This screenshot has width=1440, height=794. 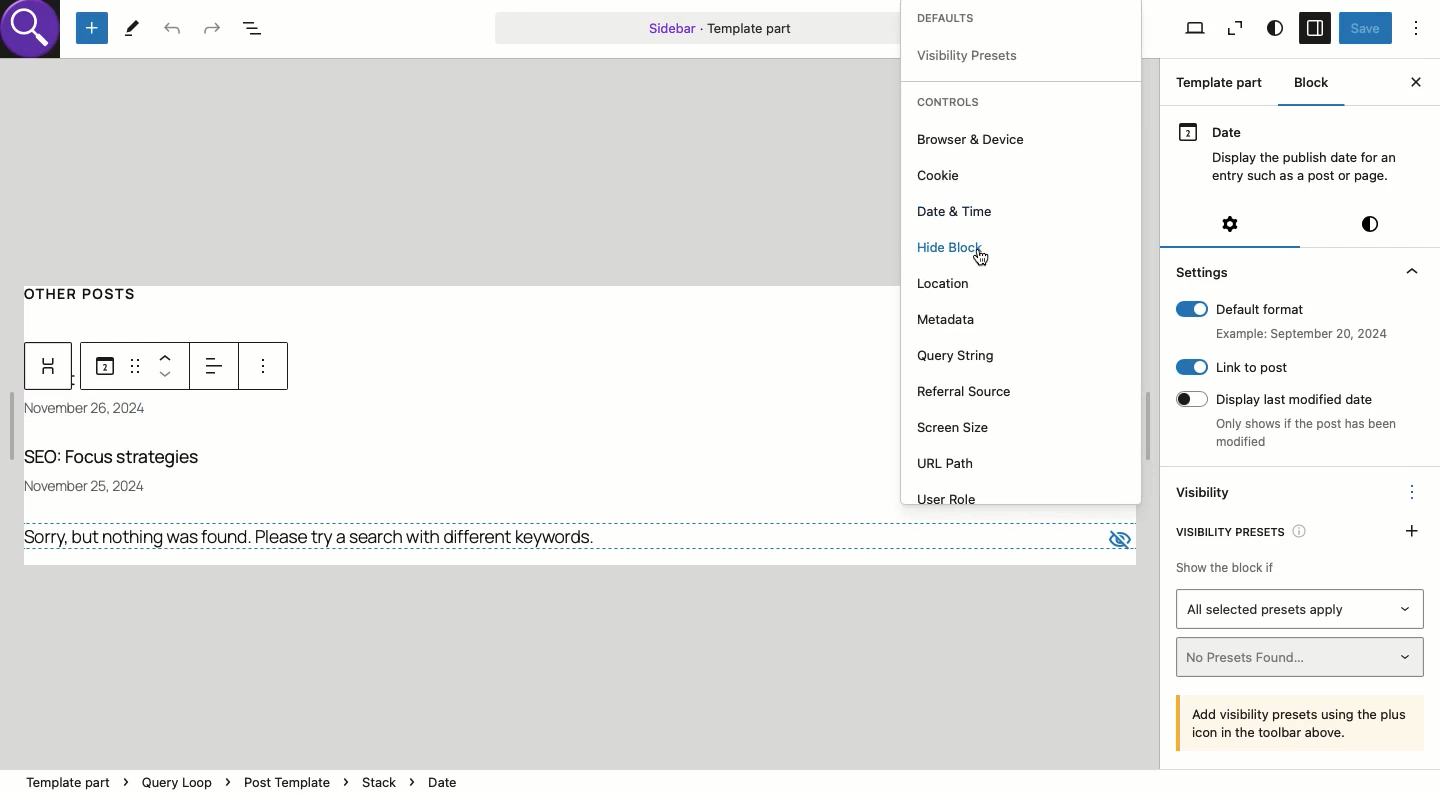 What do you see at coordinates (1365, 29) in the screenshot?
I see `Save` at bounding box center [1365, 29].